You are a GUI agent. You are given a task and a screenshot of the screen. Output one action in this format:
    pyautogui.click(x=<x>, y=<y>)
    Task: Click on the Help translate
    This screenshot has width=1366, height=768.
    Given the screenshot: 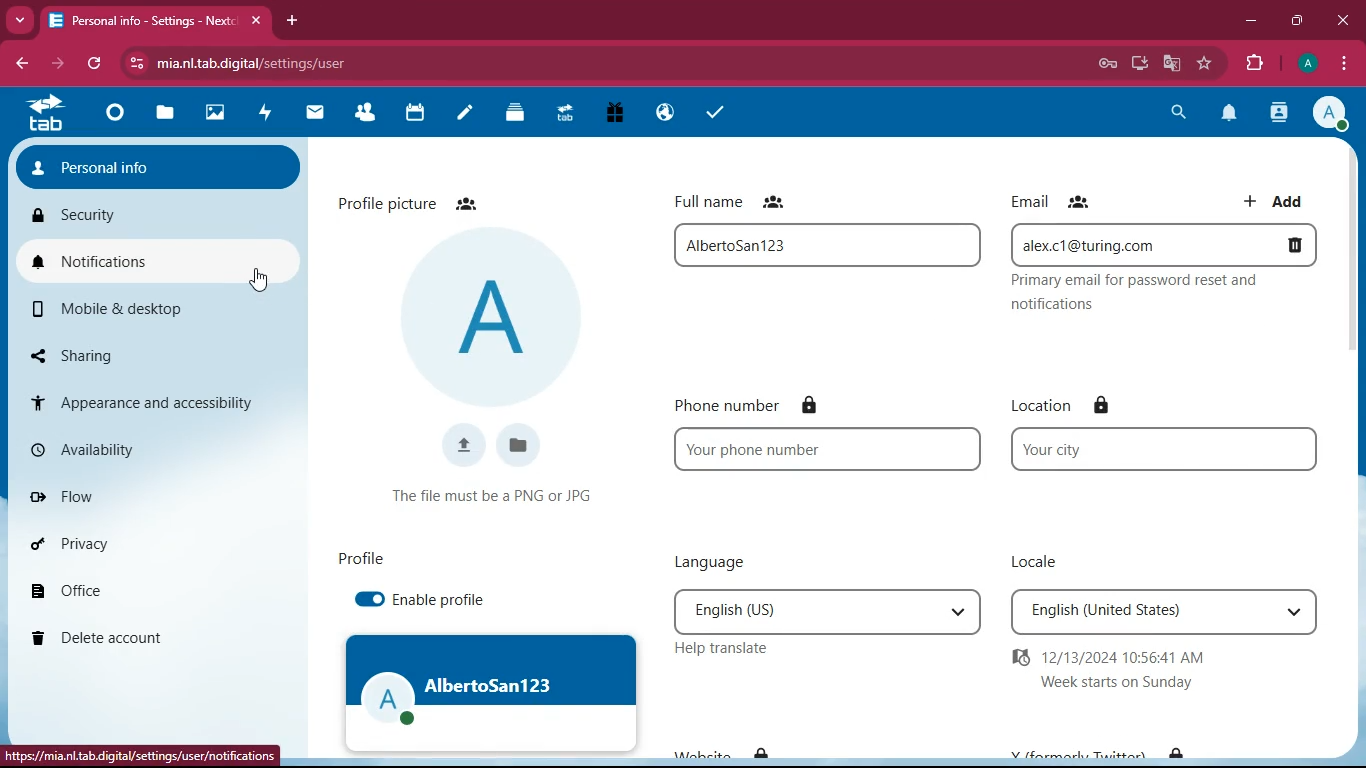 What is the action you would take?
    pyautogui.click(x=732, y=651)
    